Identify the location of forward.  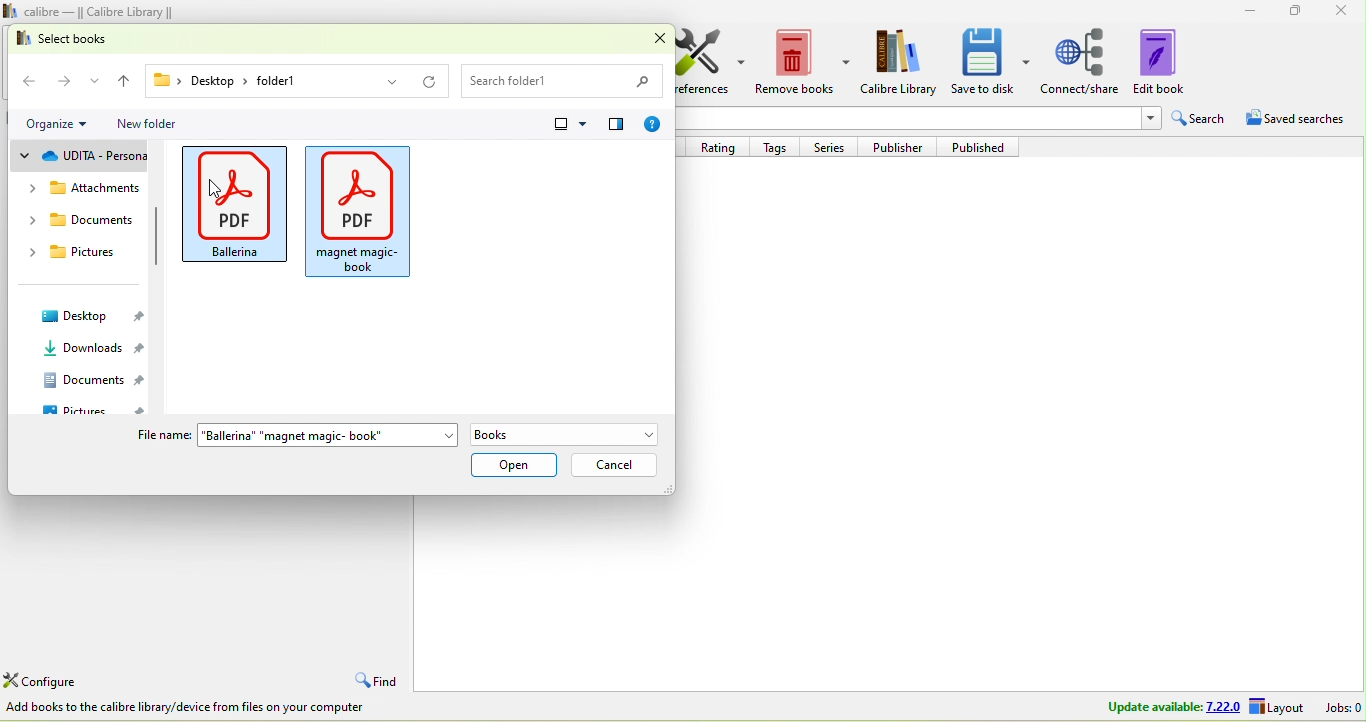
(79, 79).